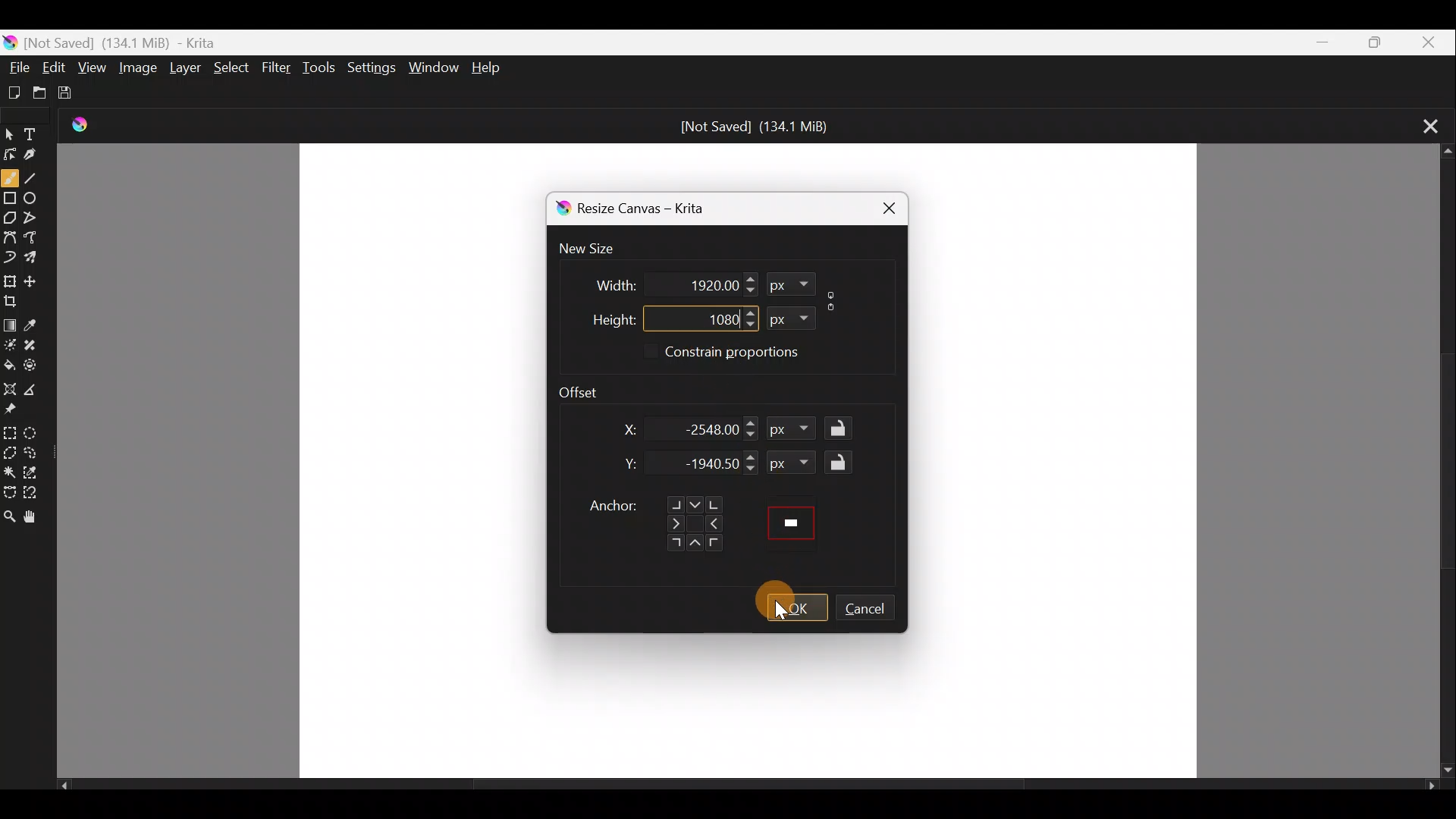  Describe the element at coordinates (834, 298) in the screenshot. I see `Constrain proportions` at that location.